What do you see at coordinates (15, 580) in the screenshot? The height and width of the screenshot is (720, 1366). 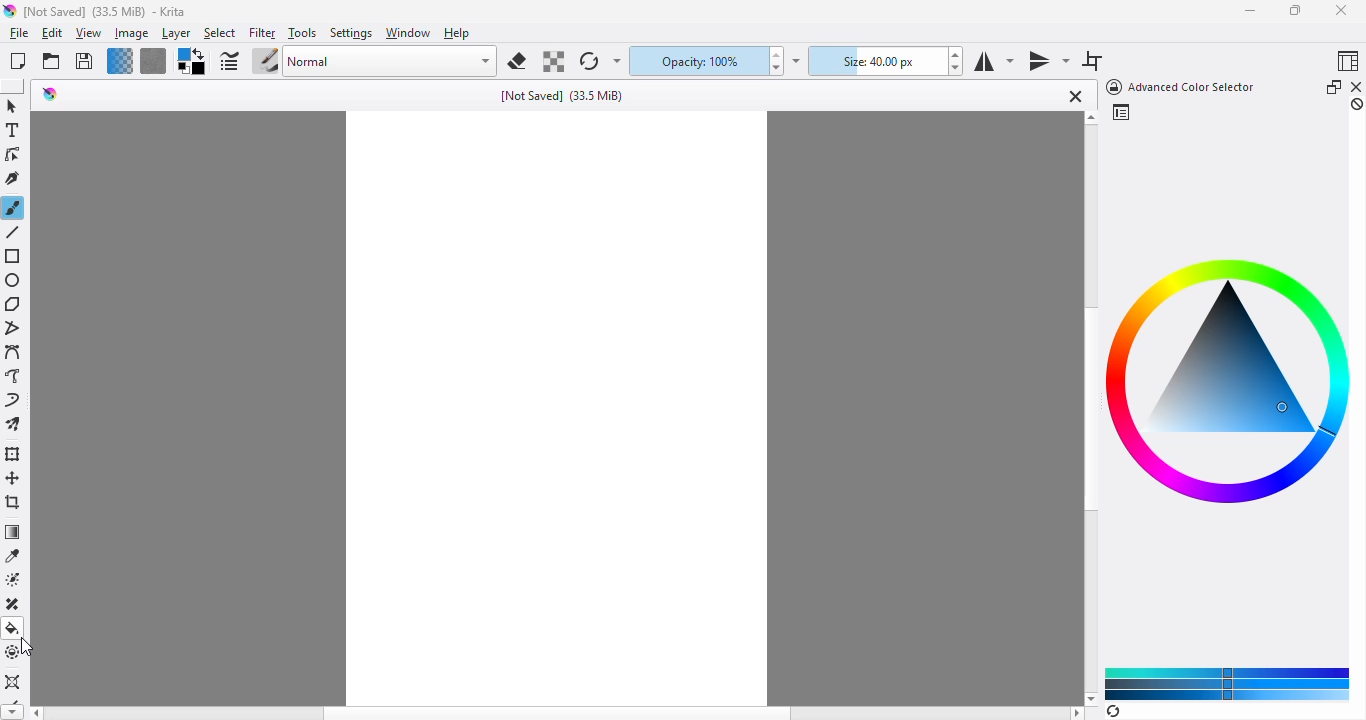 I see `colorize mask tool` at bounding box center [15, 580].